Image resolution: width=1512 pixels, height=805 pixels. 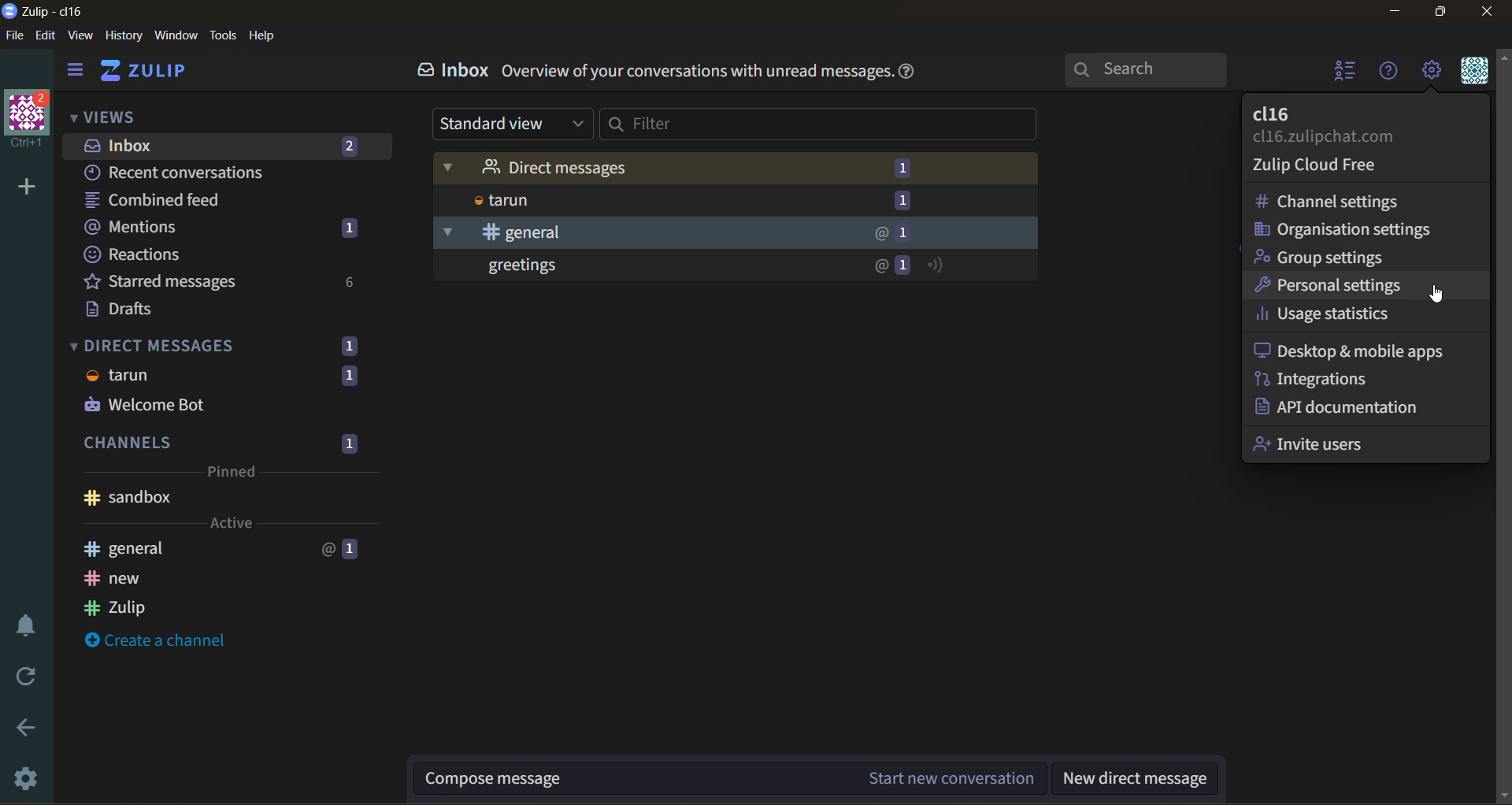 I want to click on integrations, so click(x=1314, y=379).